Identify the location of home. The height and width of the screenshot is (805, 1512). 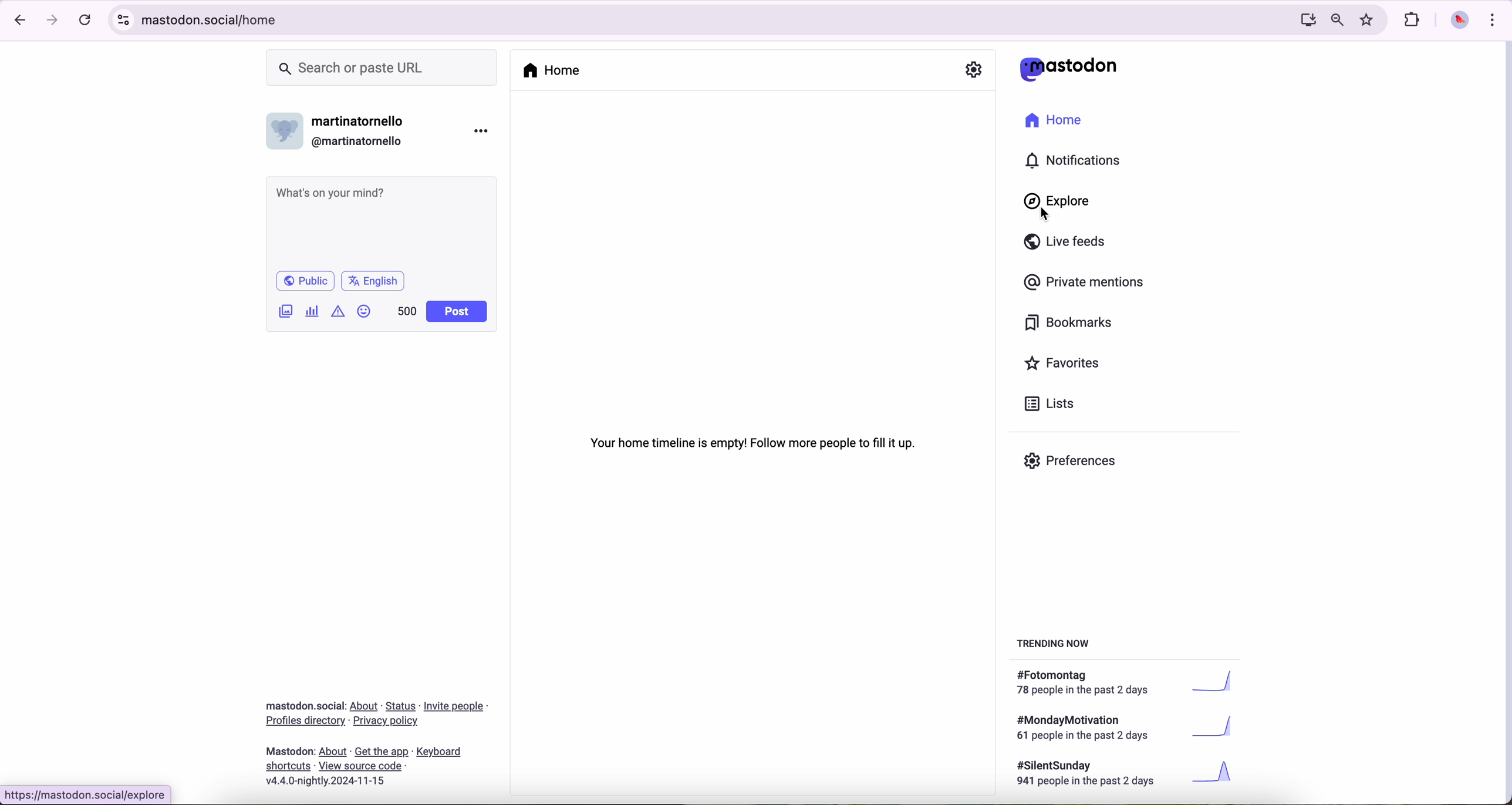
(553, 70).